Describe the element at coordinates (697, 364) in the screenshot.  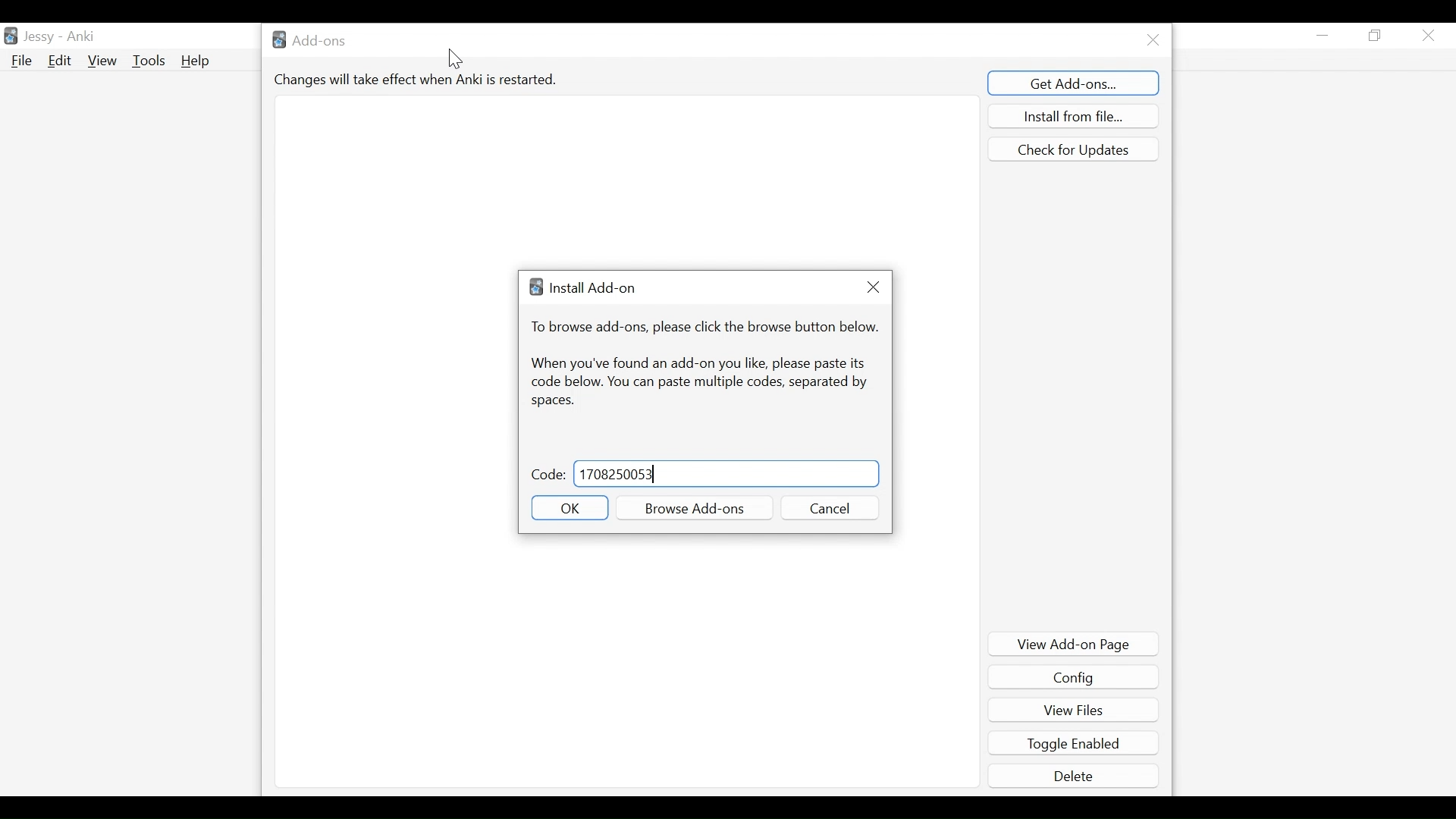
I see `When you have found an add-on you like, please paste its` at that location.